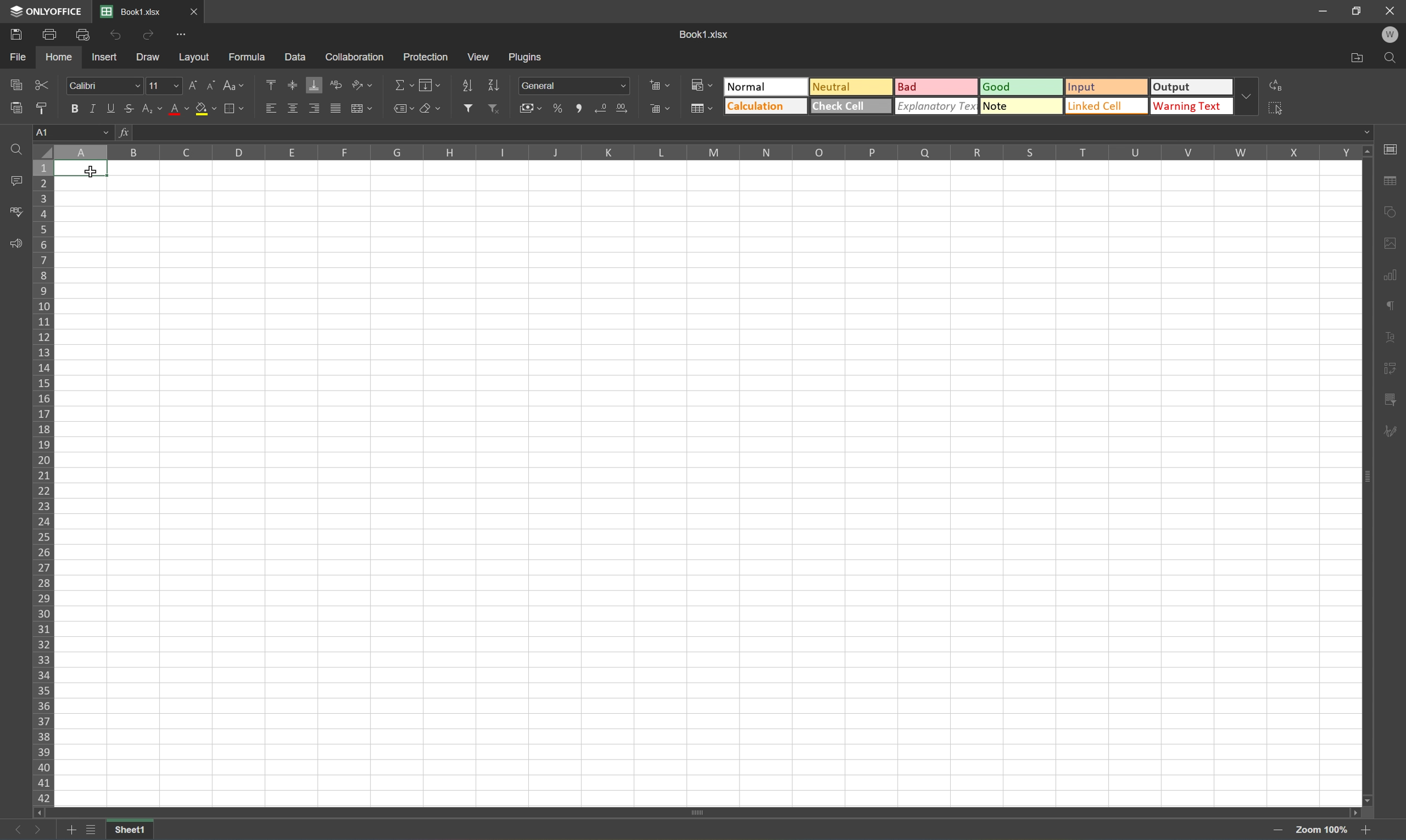  I want to click on Fill color, so click(206, 109).